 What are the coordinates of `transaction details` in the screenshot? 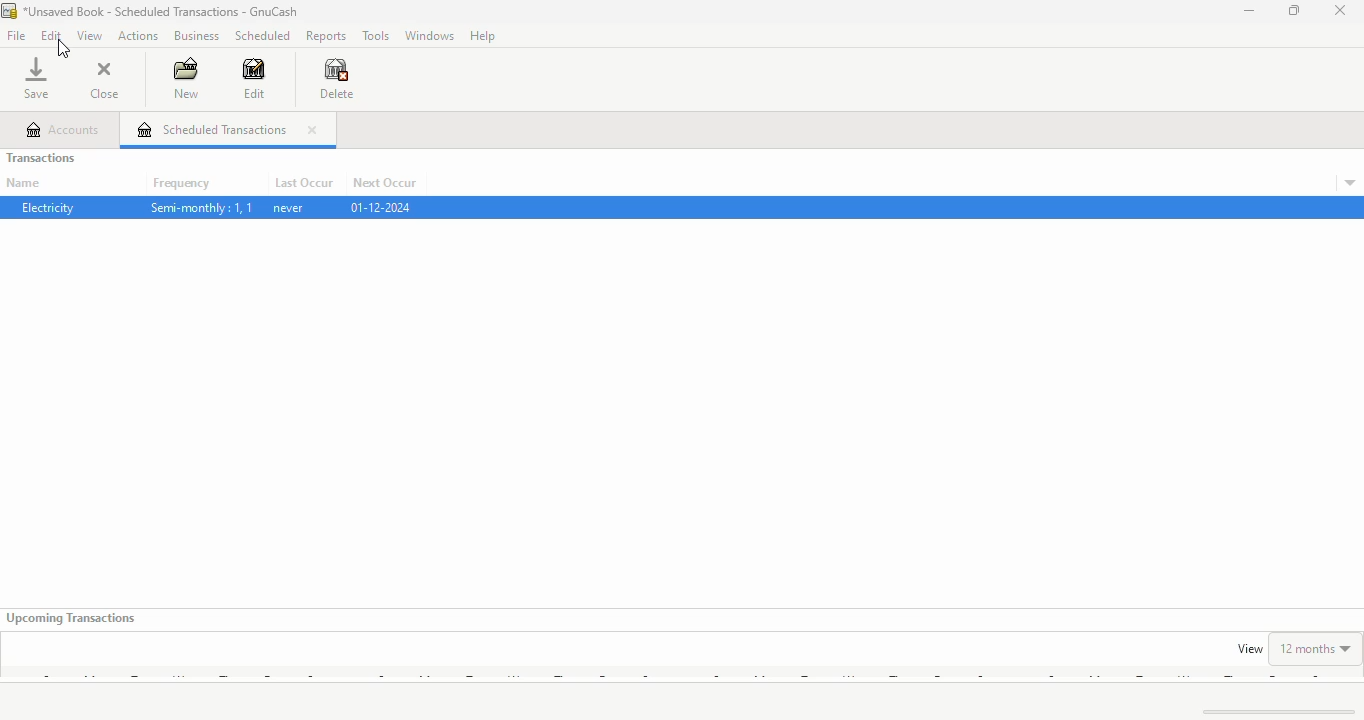 It's located at (1350, 183).